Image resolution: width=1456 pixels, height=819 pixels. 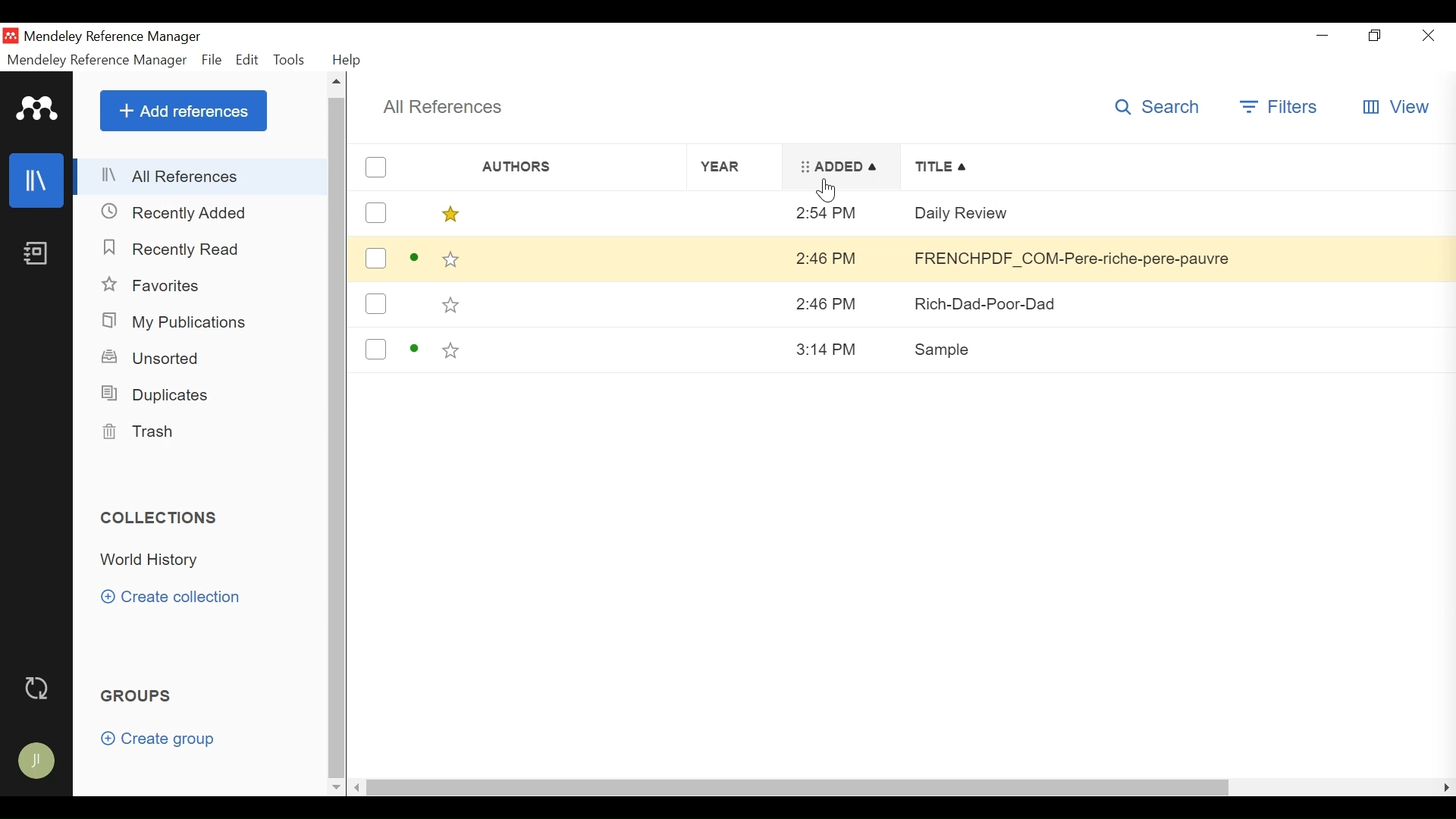 I want to click on Added, so click(x=843, y=167).